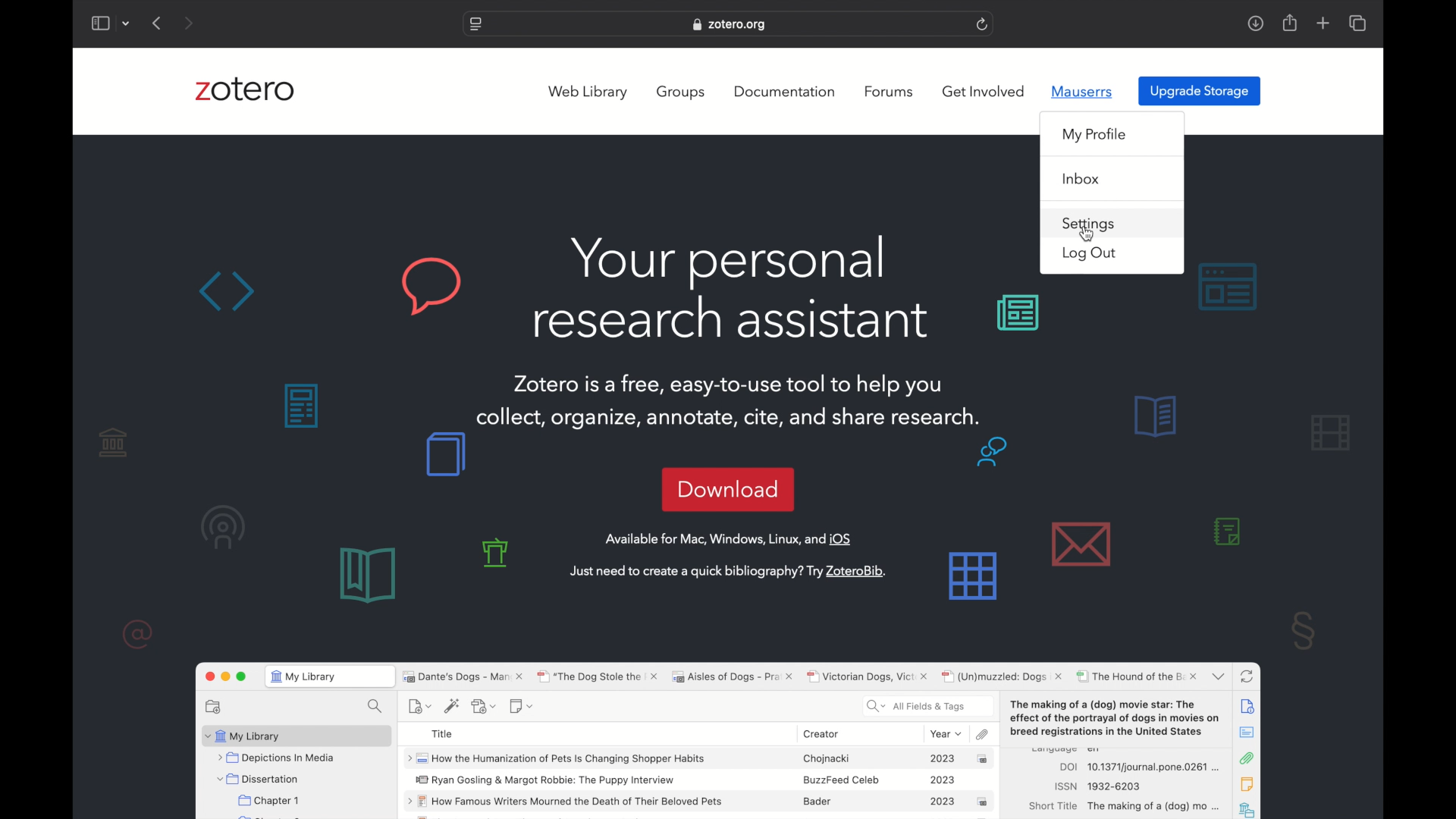 This screenshot has width=1456, height=819. What do you see at coordinates (1200, 90) in the screenshot?
I see `upgrade storage` at bounding box center [1200, 90].